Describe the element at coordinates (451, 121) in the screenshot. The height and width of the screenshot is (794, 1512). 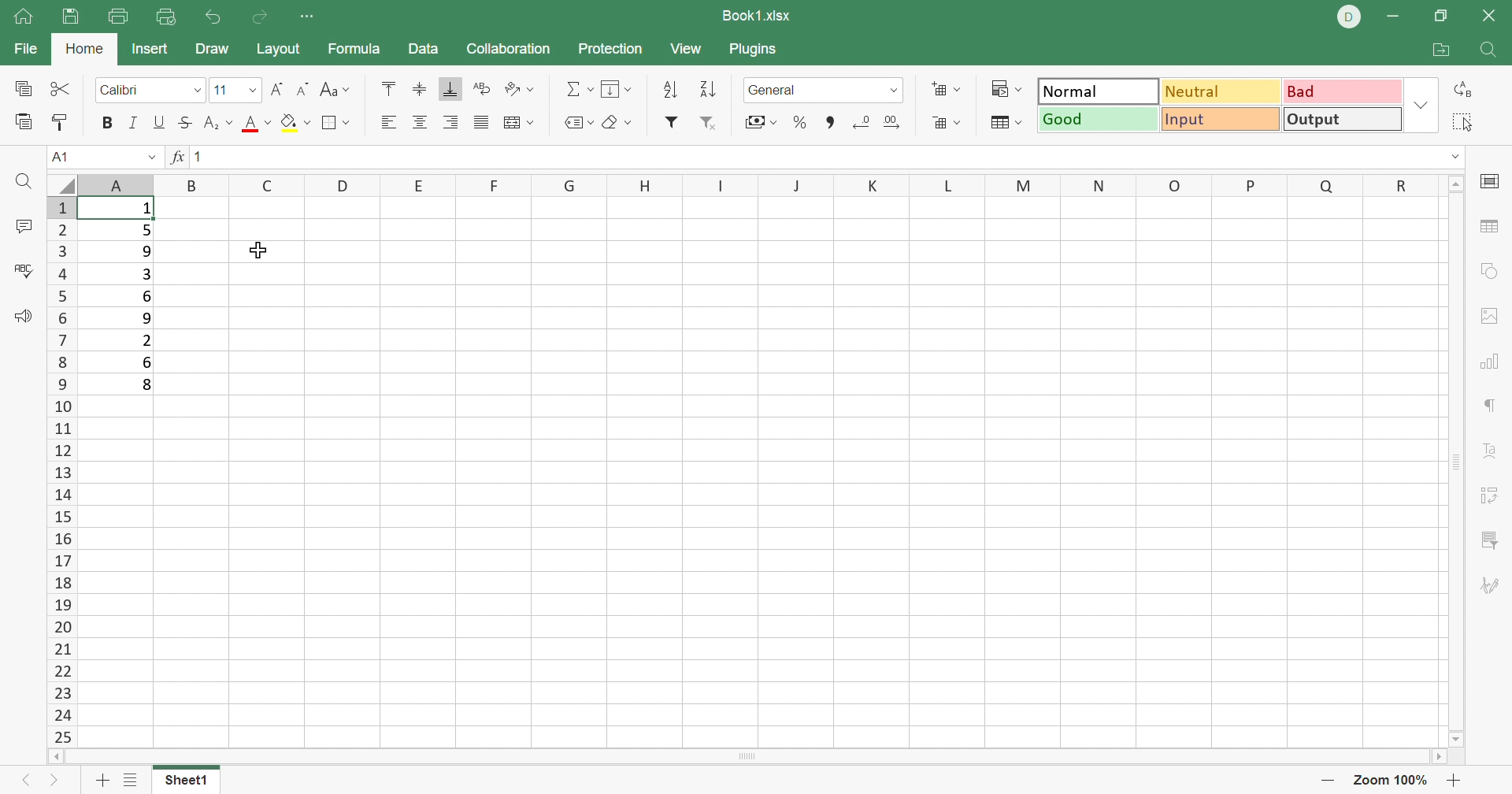
I see `Align Right` at that location.